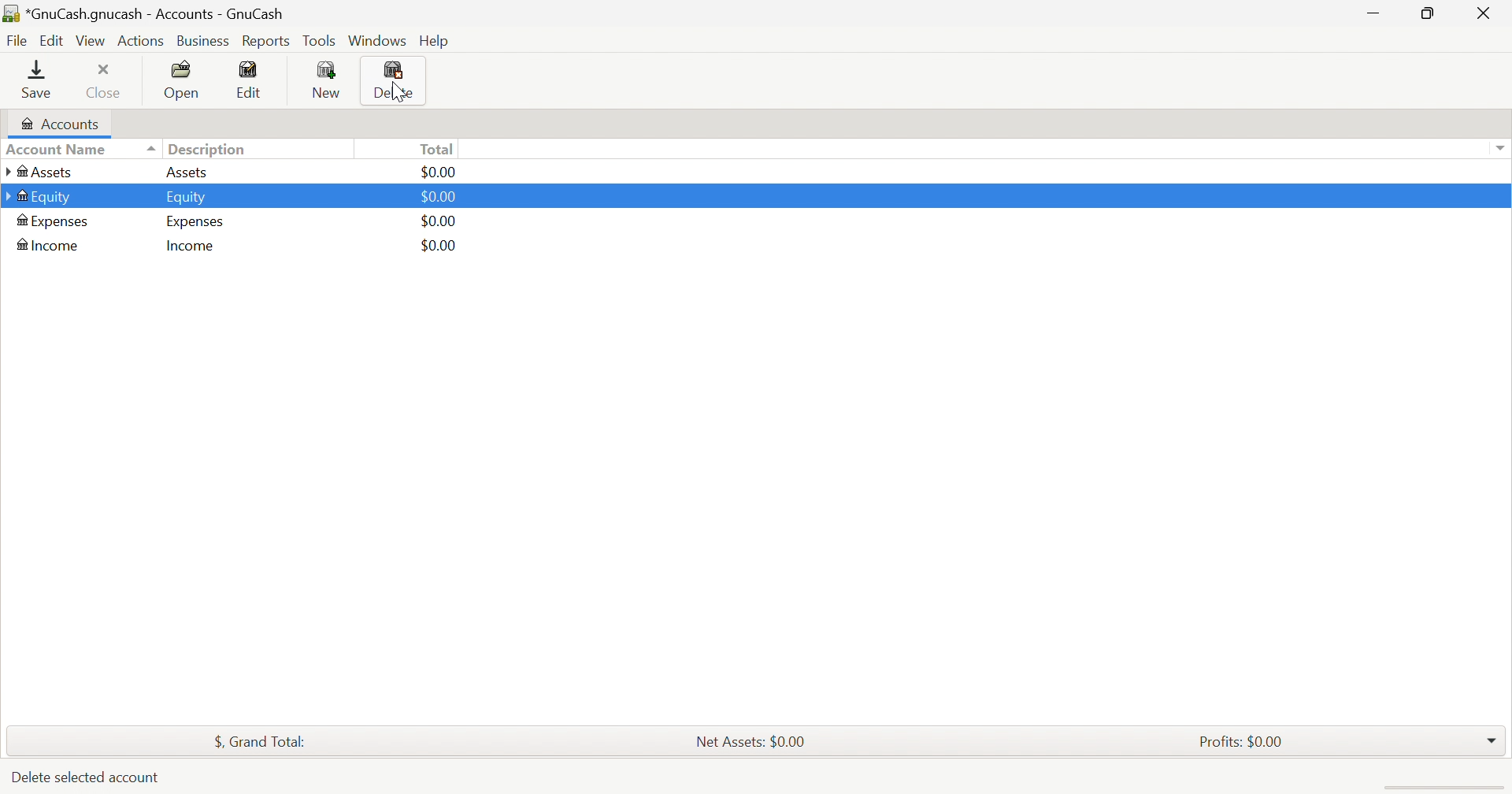 The height and width of the screenshot is (794, 1512). Describe the element at coordinates (1497, 147) in the screenshot. I see `Drop Down` at that location.